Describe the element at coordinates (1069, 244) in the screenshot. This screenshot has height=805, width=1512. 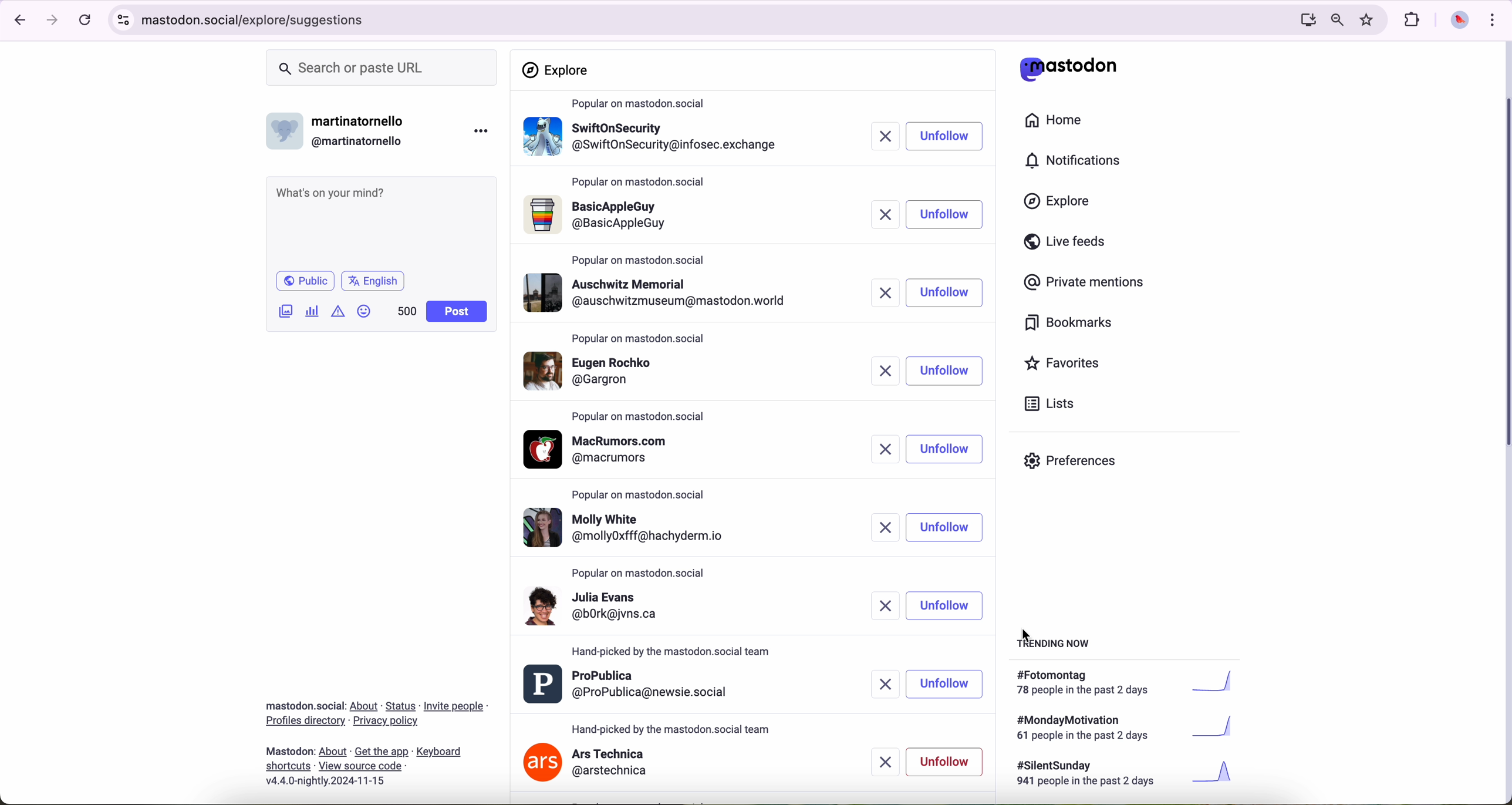
I see `live feeds` at that location.